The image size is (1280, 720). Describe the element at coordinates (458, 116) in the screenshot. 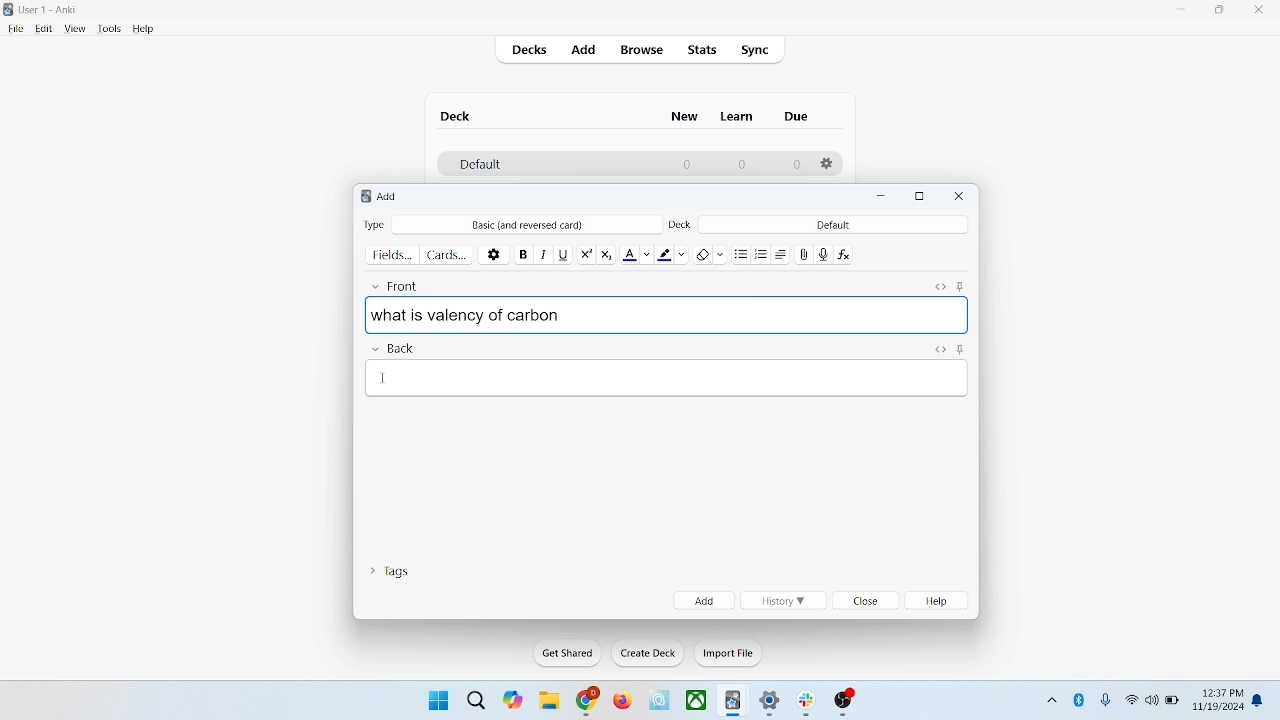

I see `deck` at that location.